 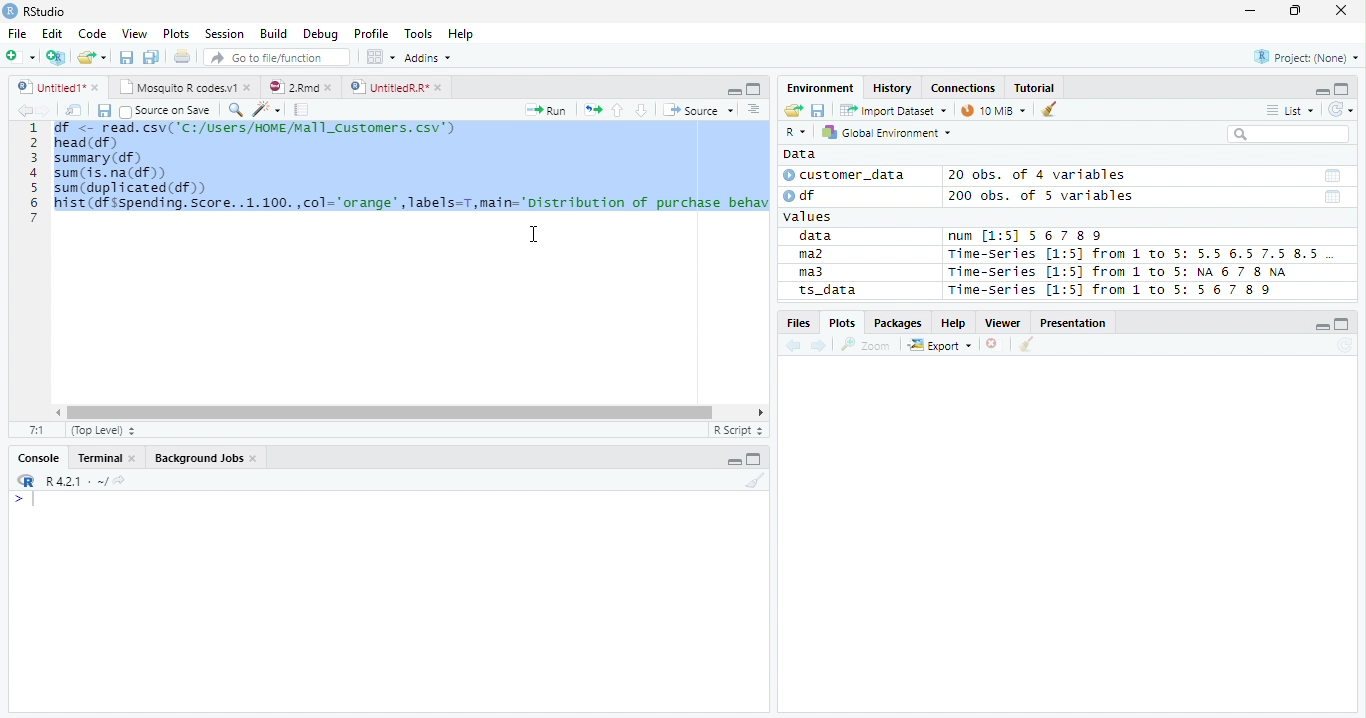 What do you see at coordinates (430, 57) in the screenshot?
I see `Addins` at bounding box center [430, 57].